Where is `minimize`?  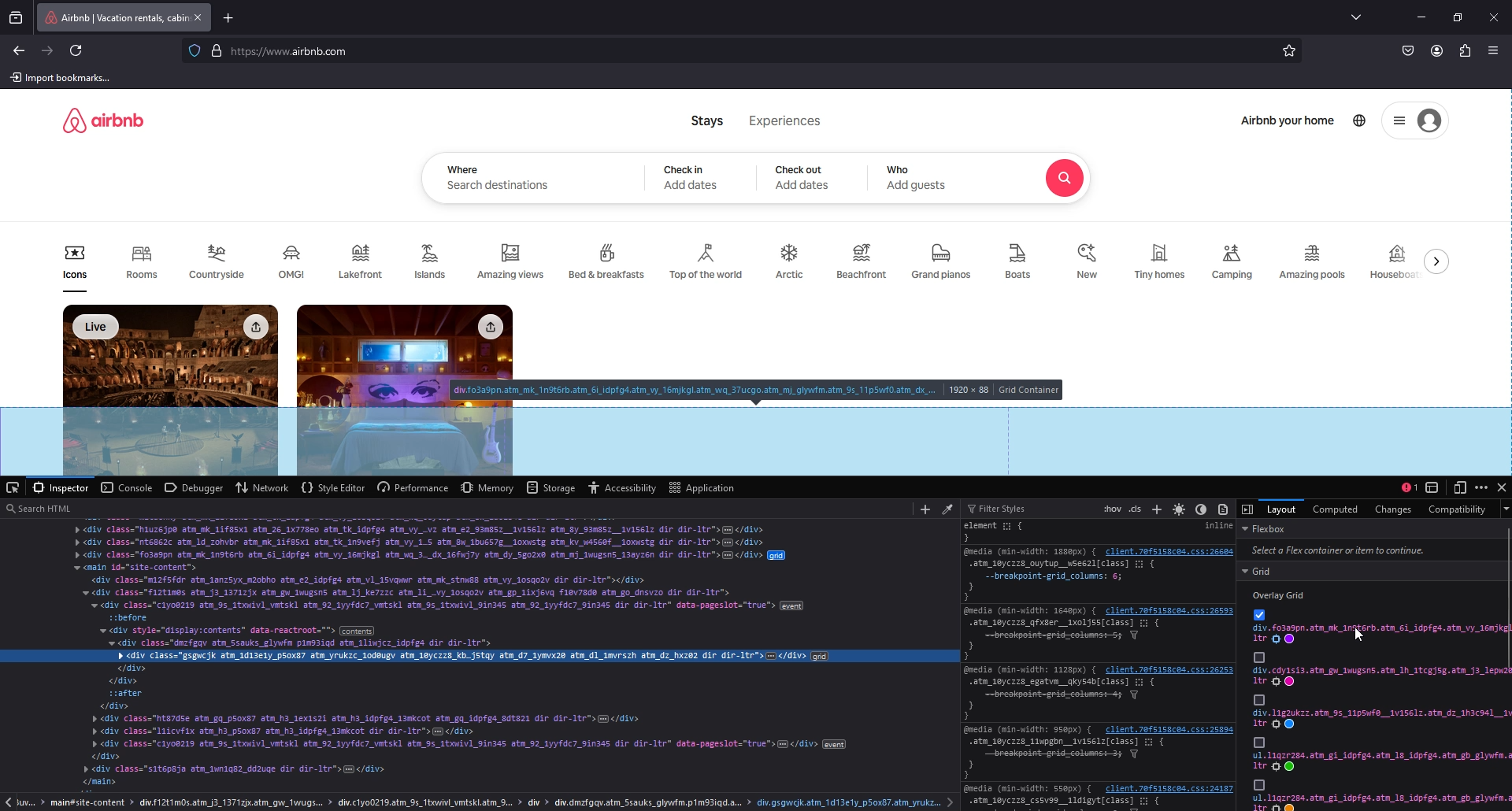
minimize is located at coordinates (1421, 17).